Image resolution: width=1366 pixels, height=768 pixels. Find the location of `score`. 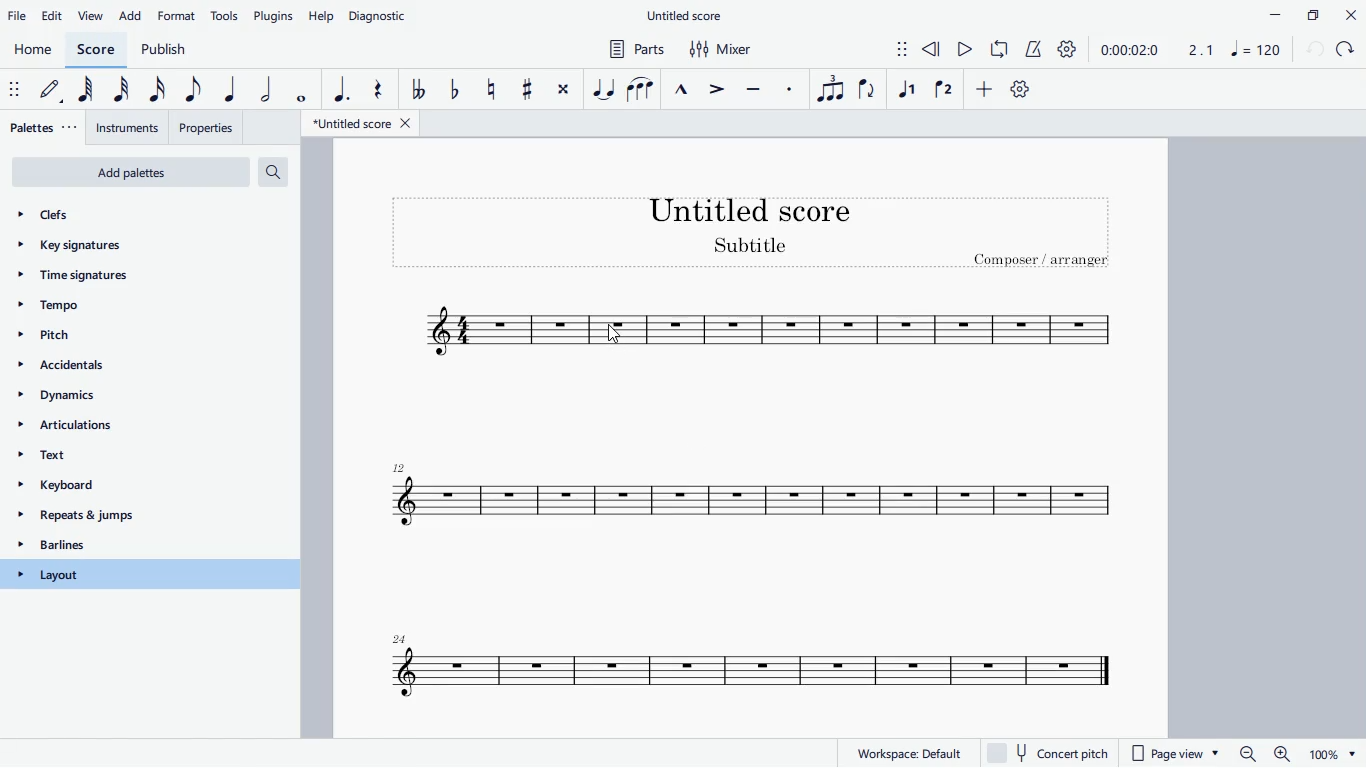

score is located at coordinates (756, 498).